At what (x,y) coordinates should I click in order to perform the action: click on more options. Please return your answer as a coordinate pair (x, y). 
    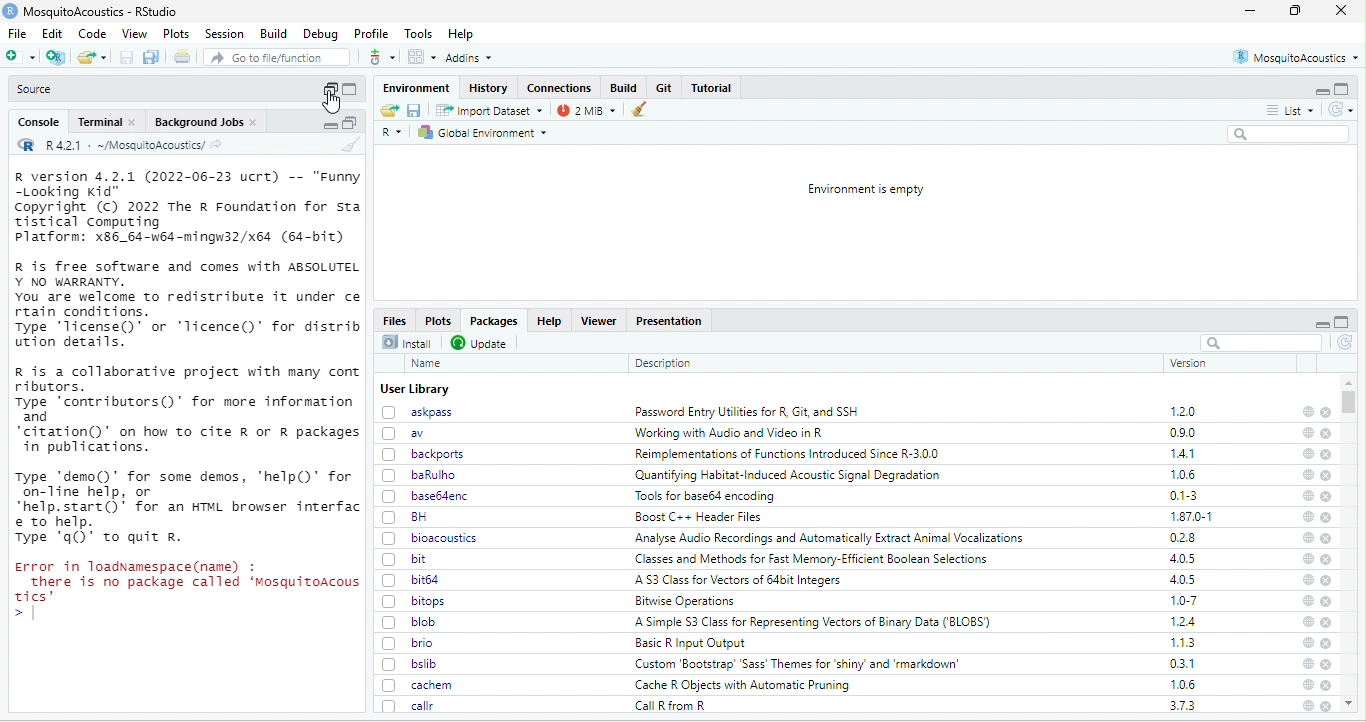
    Looking at the image, I should click on (381, 56).